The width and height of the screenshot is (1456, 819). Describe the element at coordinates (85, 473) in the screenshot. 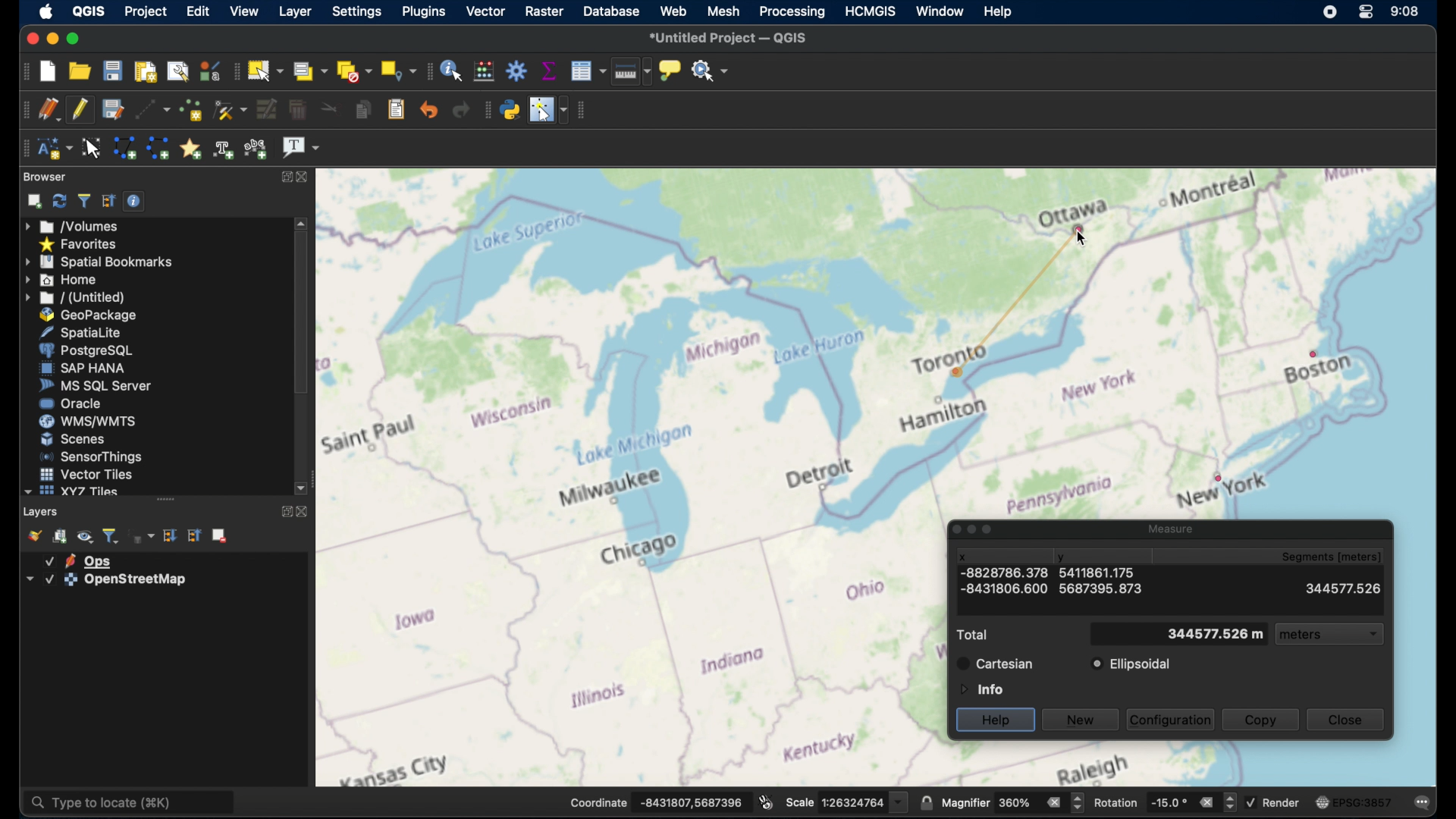

I see `vector tiles` at that location.